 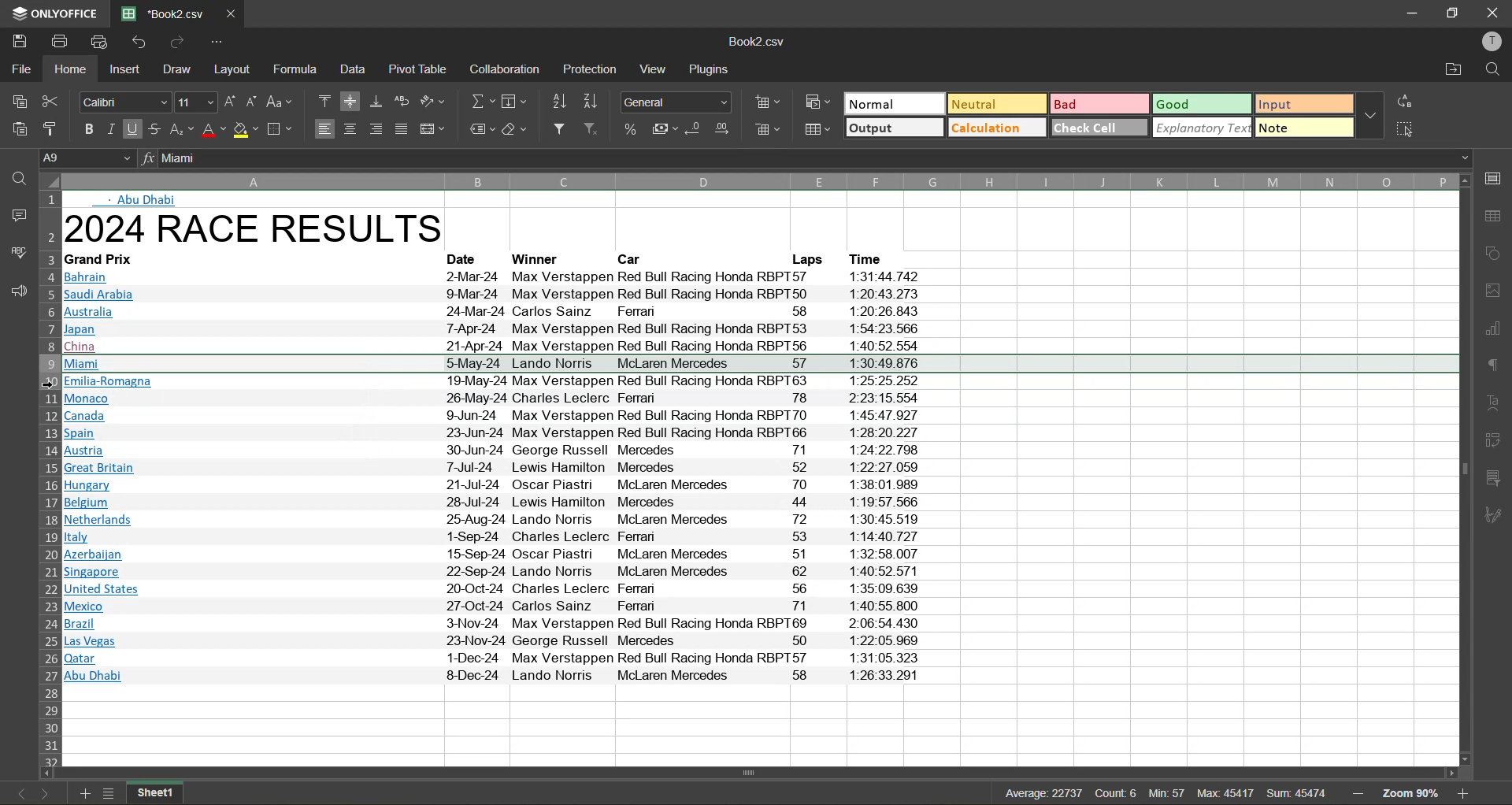 I want to click on wrap text, so click(x=402, y=101).